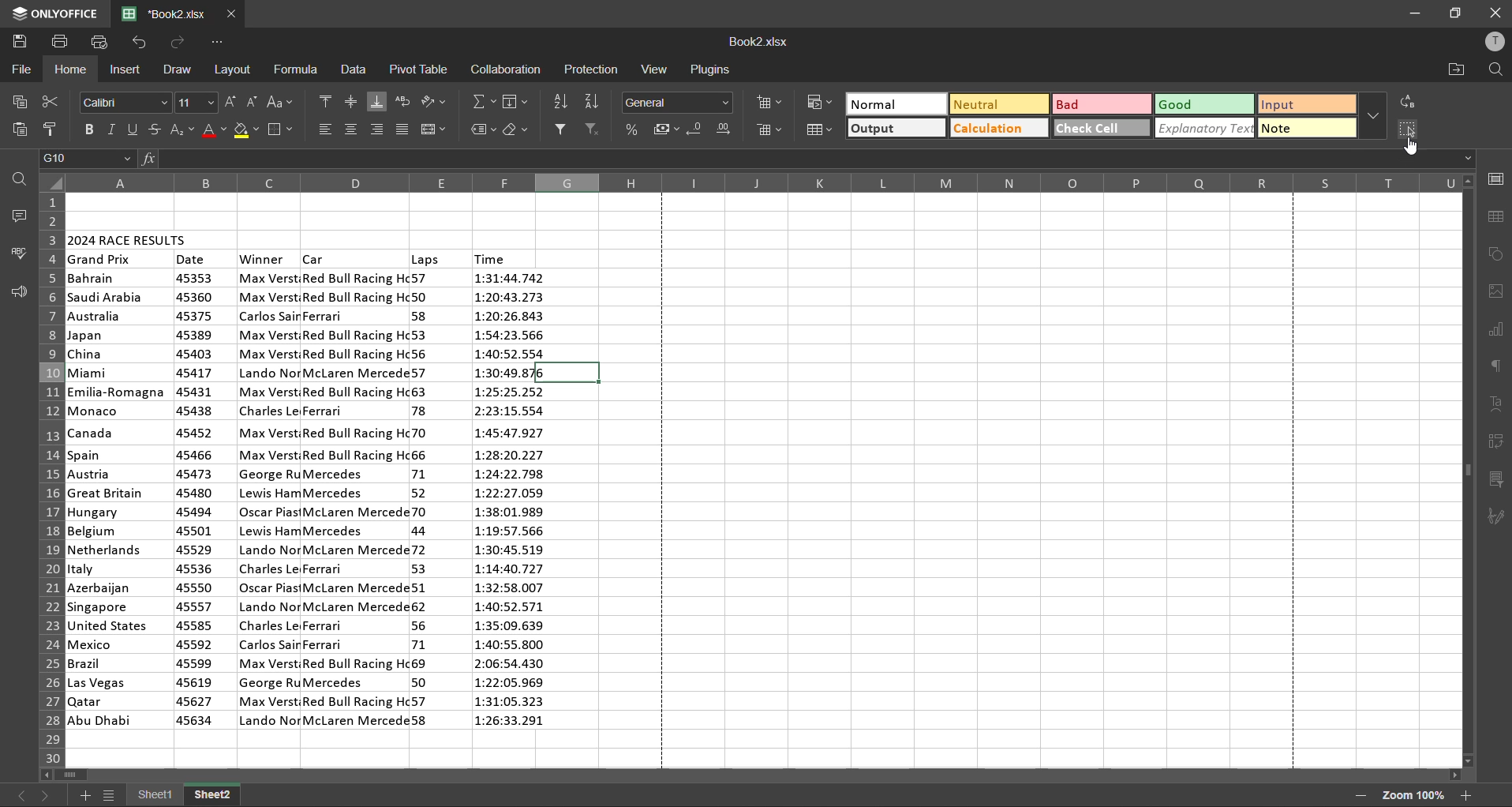 This screenshot has height=807, width=1512. I want to click on pivot table, so click(1495, 440).